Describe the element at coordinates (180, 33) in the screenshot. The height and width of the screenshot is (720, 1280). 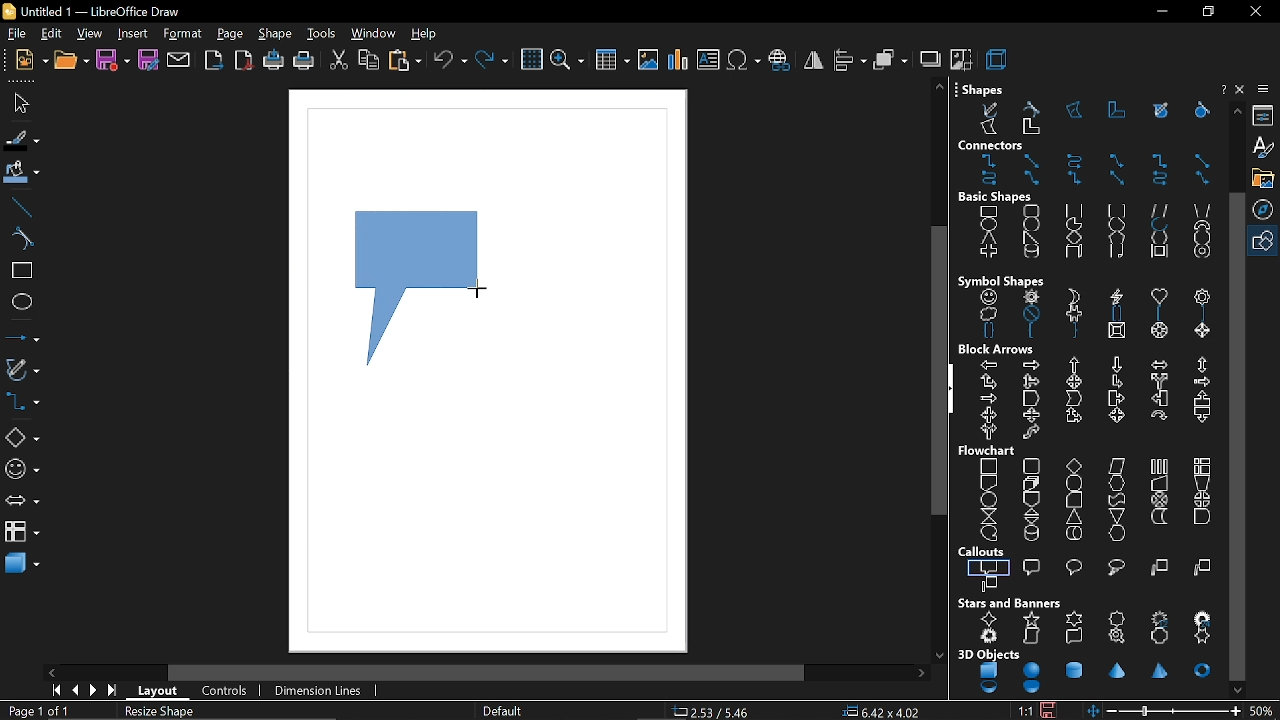
I see `format` at that location.